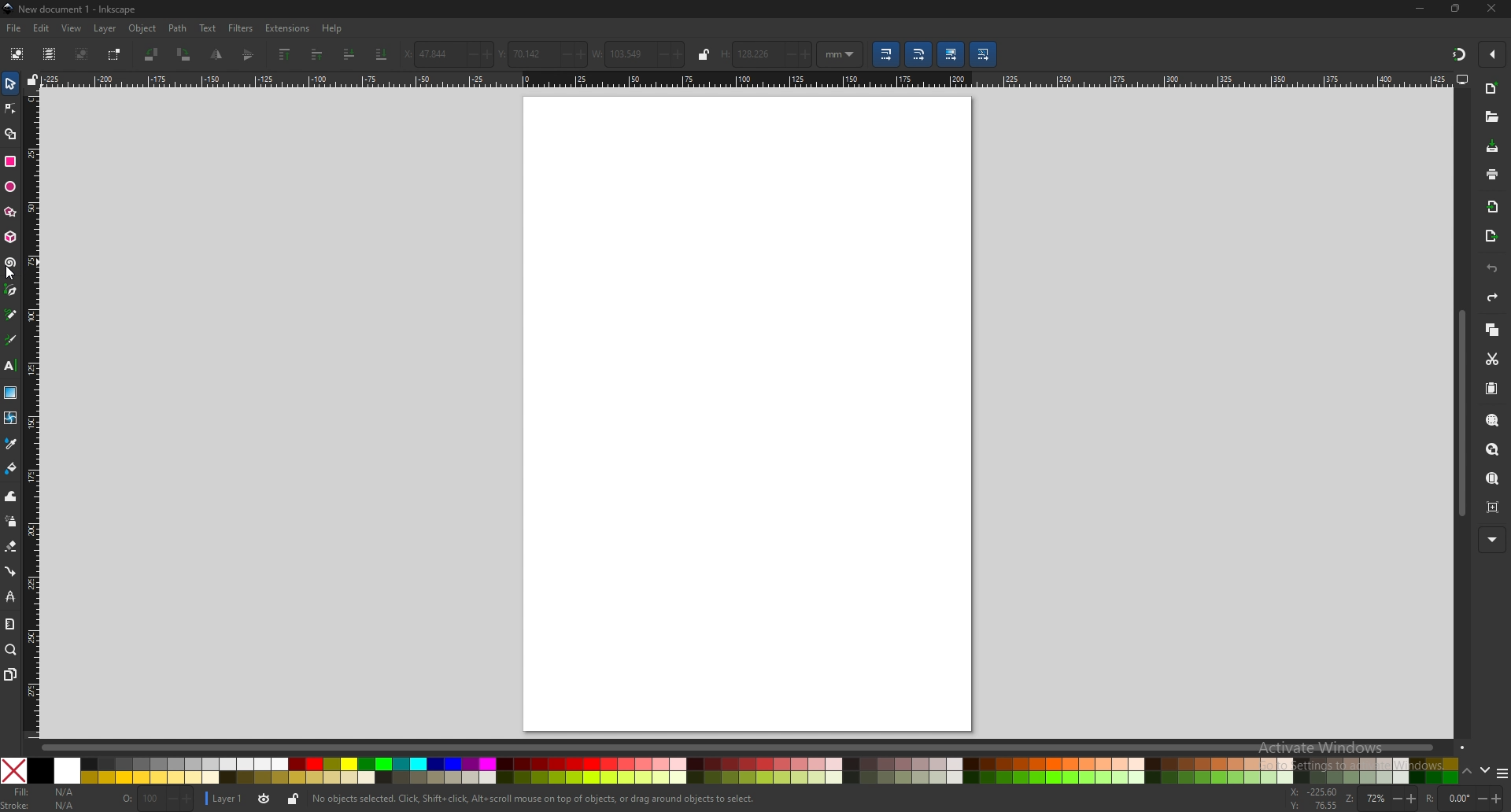  I want to click on filters, so click(241, 28).